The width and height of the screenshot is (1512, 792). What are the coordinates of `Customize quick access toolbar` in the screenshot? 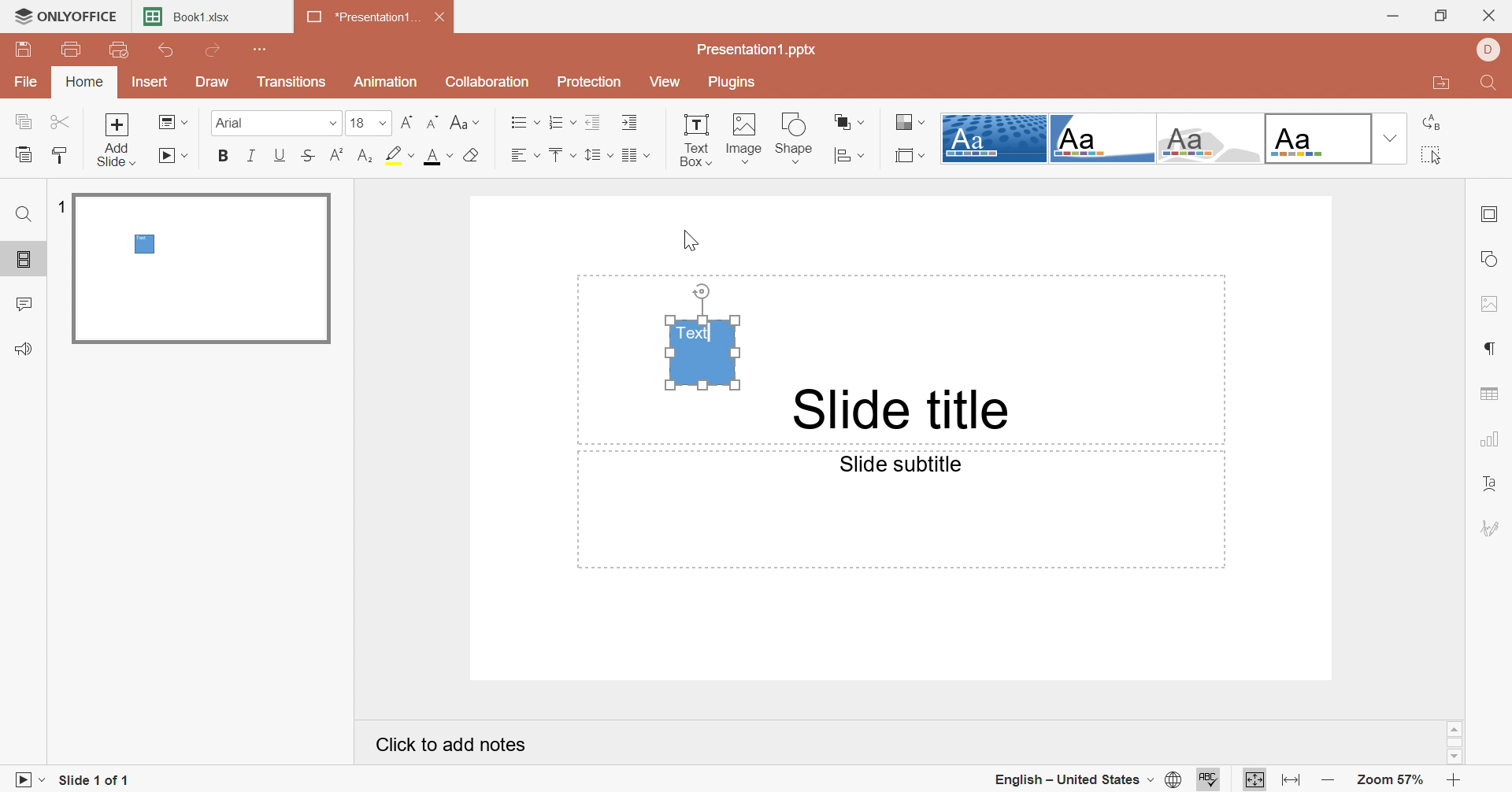 It's located at (259, 50).